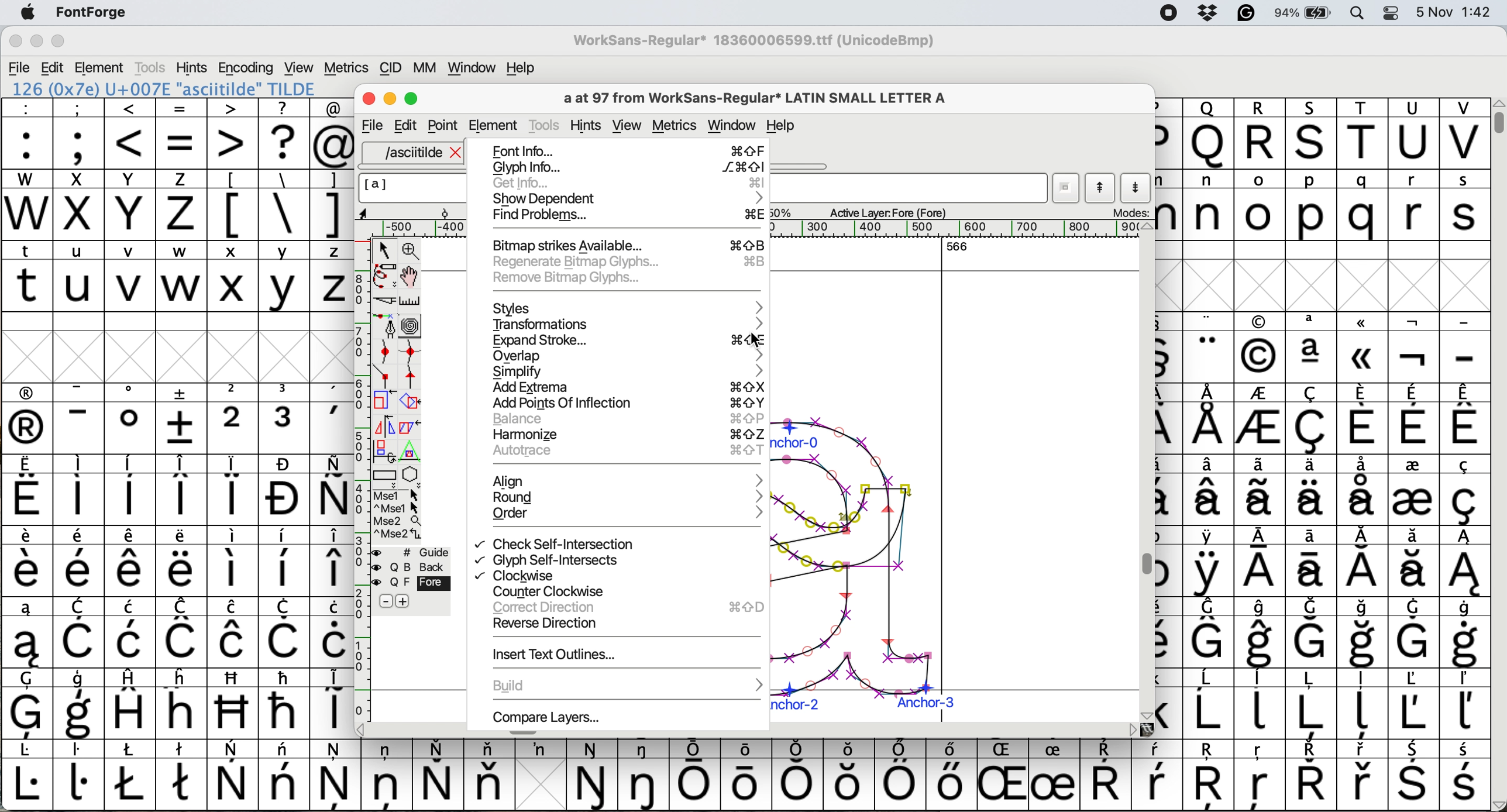 The width and height of the screenshot is (1507, 812). What do you see at coordinates (192, 67) in the screenshot?
I see `hints` at bounding box center [192, 67].